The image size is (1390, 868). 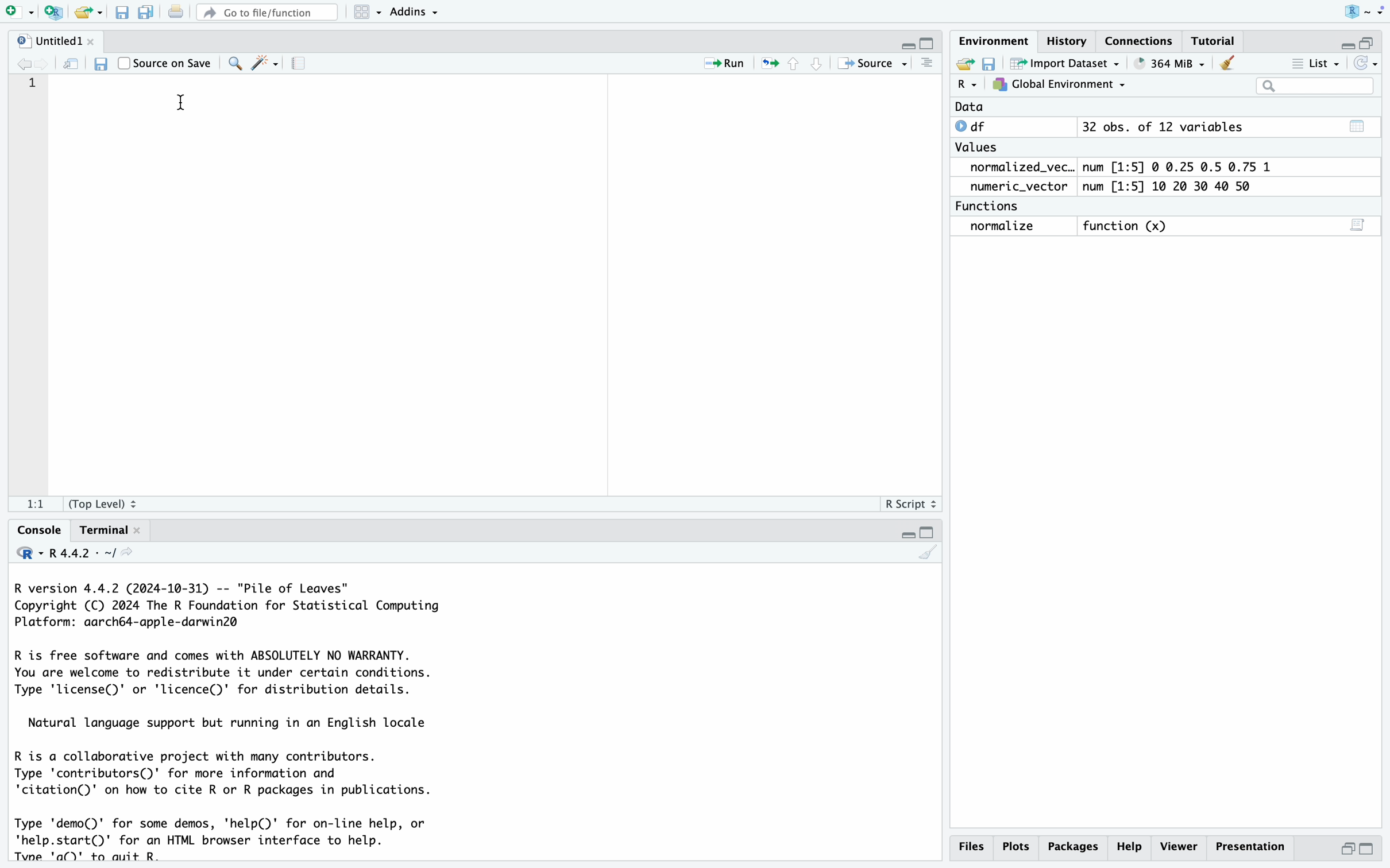 I want to click on R, so click(x=967, y=85).